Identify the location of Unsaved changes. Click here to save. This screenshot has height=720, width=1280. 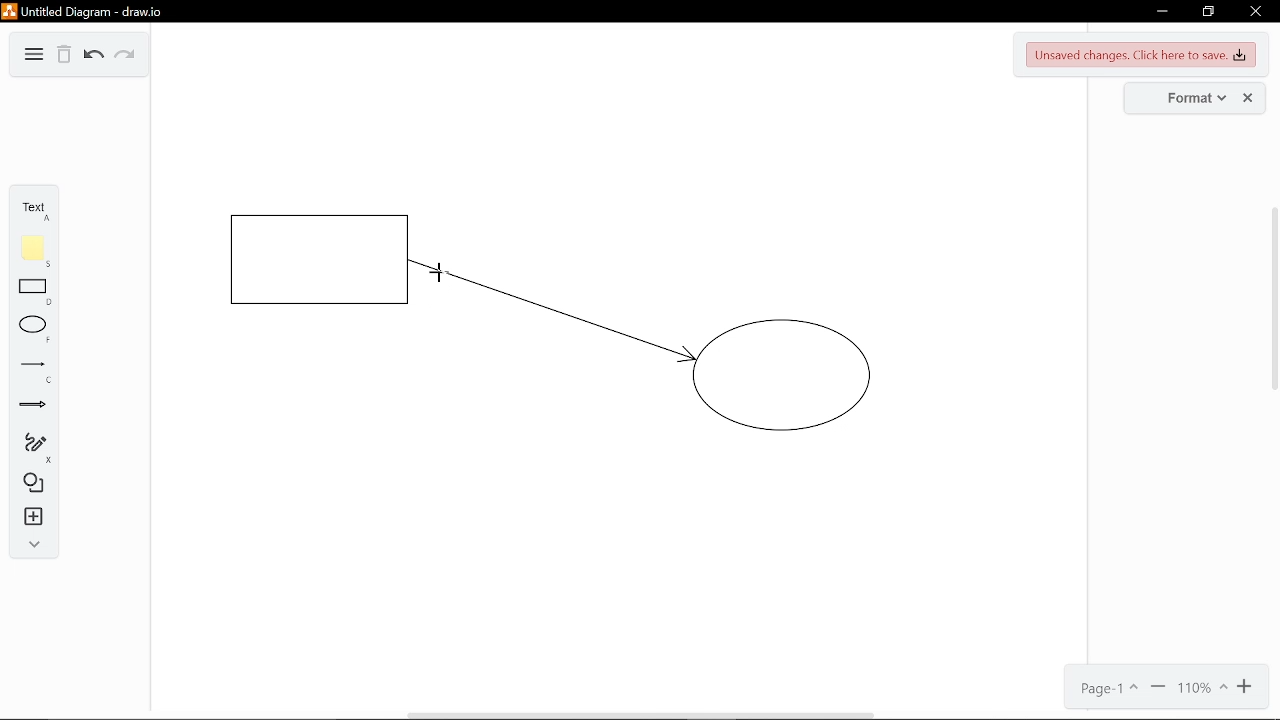
(1139, 54).